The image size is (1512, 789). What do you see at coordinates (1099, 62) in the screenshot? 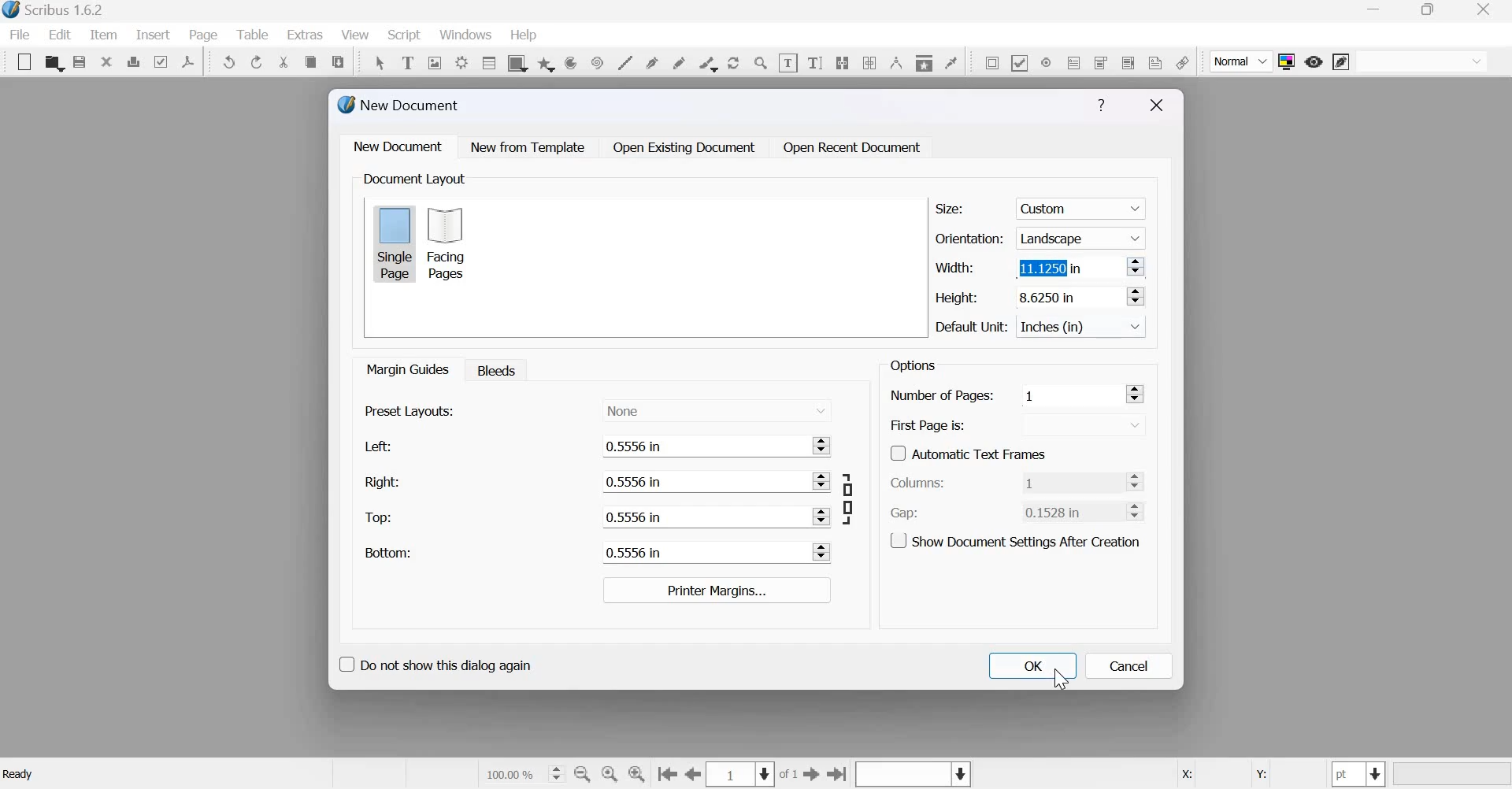
I see `PDF combo box` at bounding box center [1099, 62].